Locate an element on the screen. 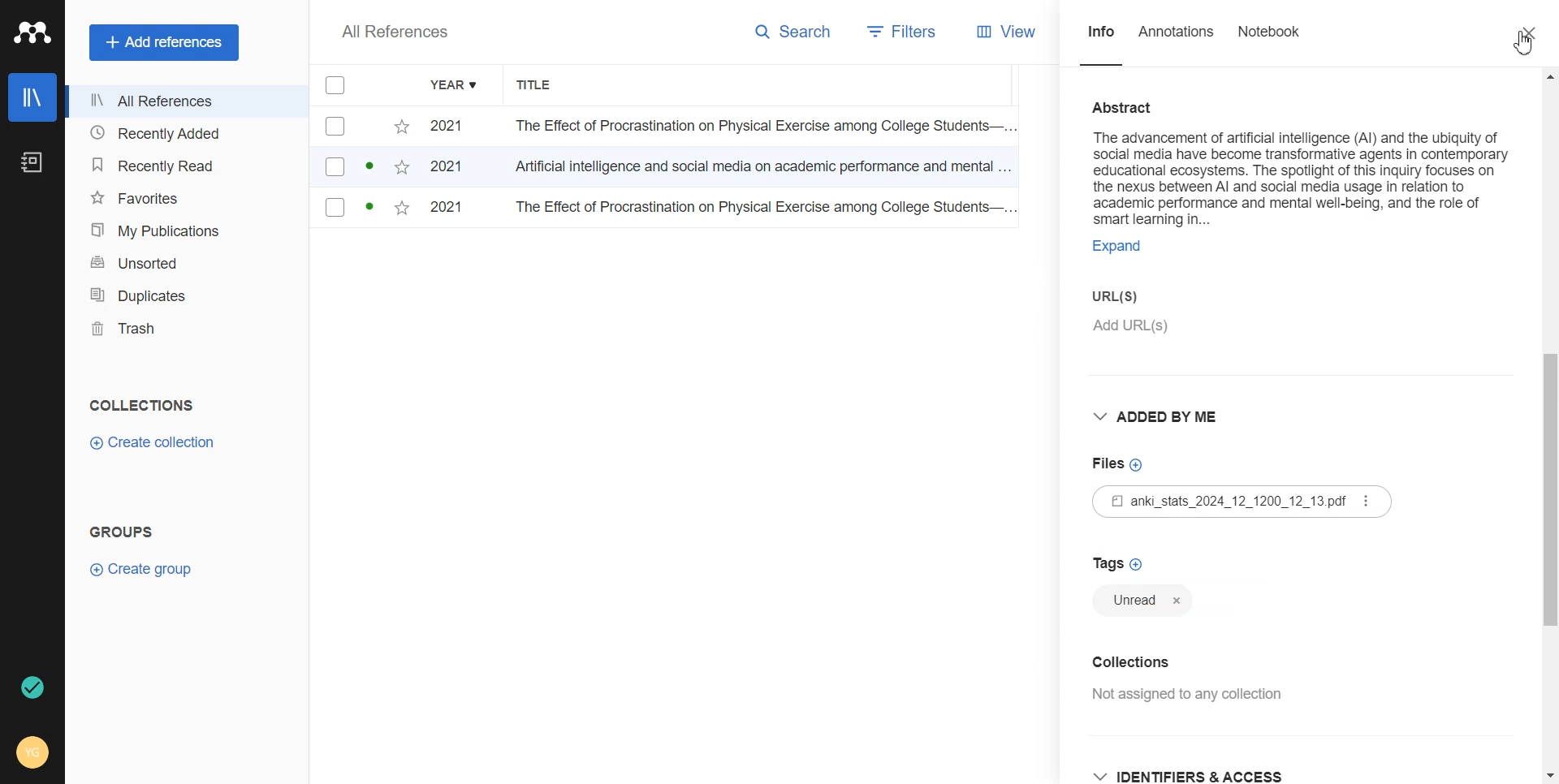  Add references is located at coordinates (166, 42).